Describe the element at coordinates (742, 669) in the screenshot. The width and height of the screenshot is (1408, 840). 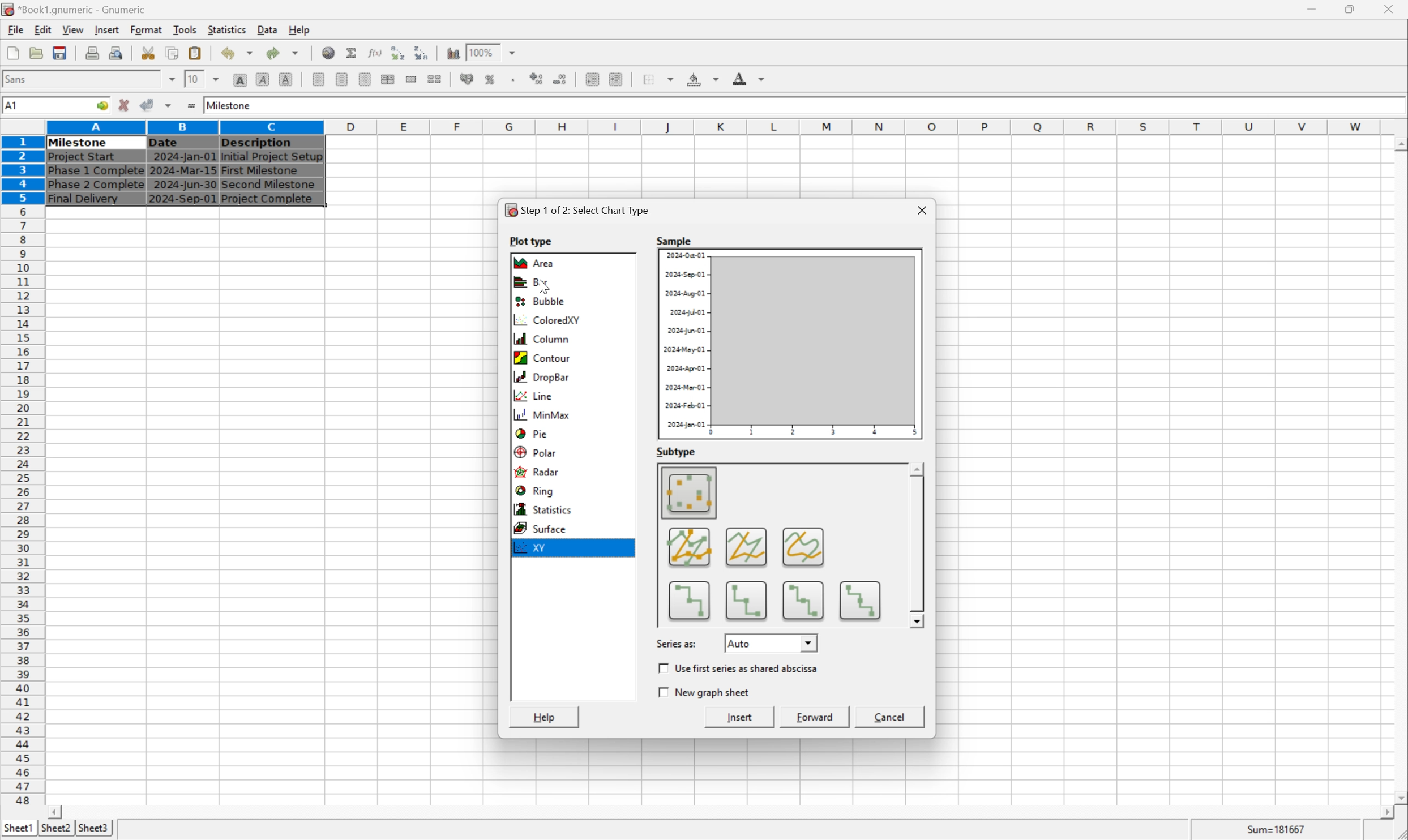
I see `use first sheet as shared abscissa` at that location.